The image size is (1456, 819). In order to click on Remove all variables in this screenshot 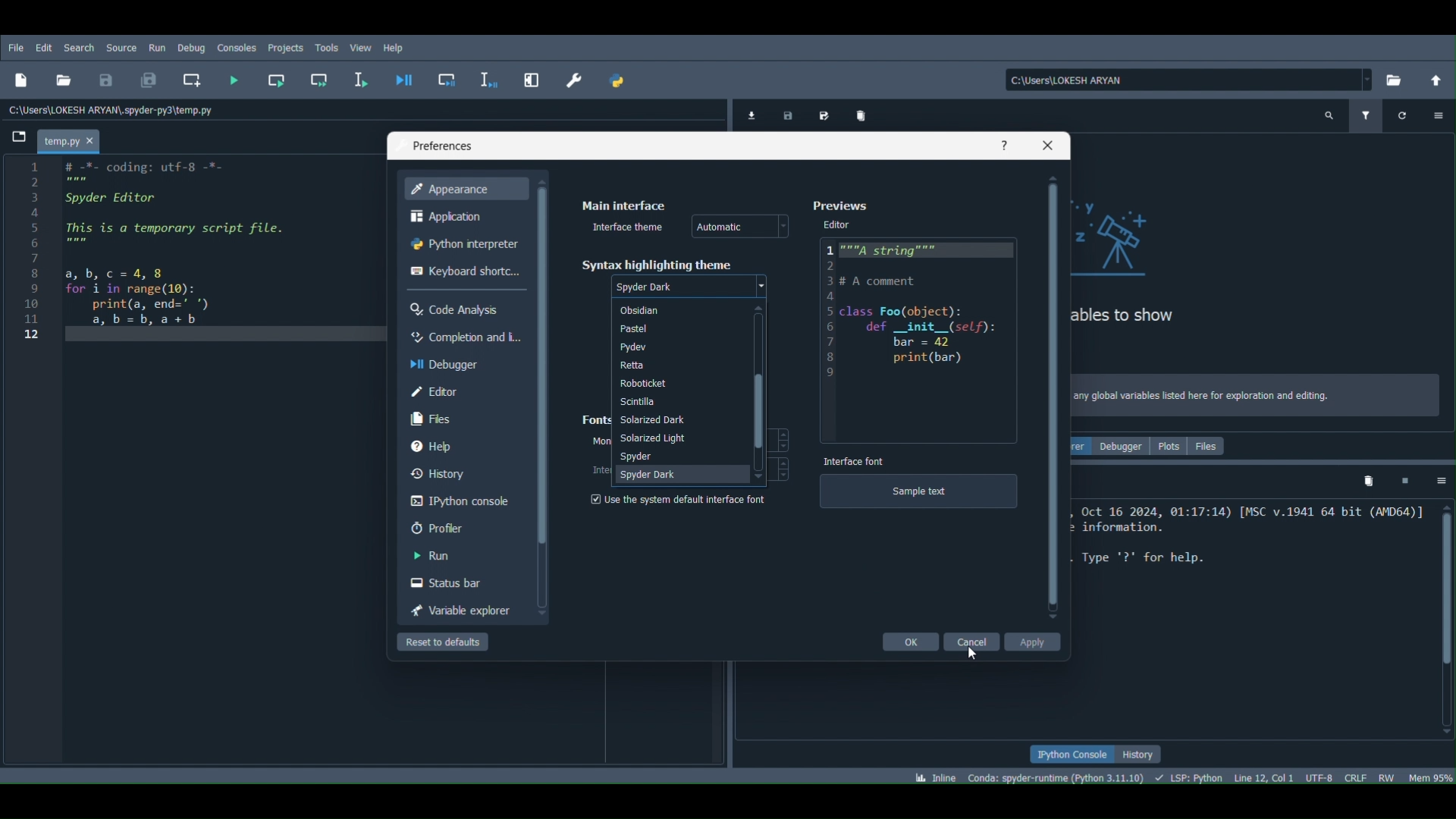, I will do `click(1364, 481)`.